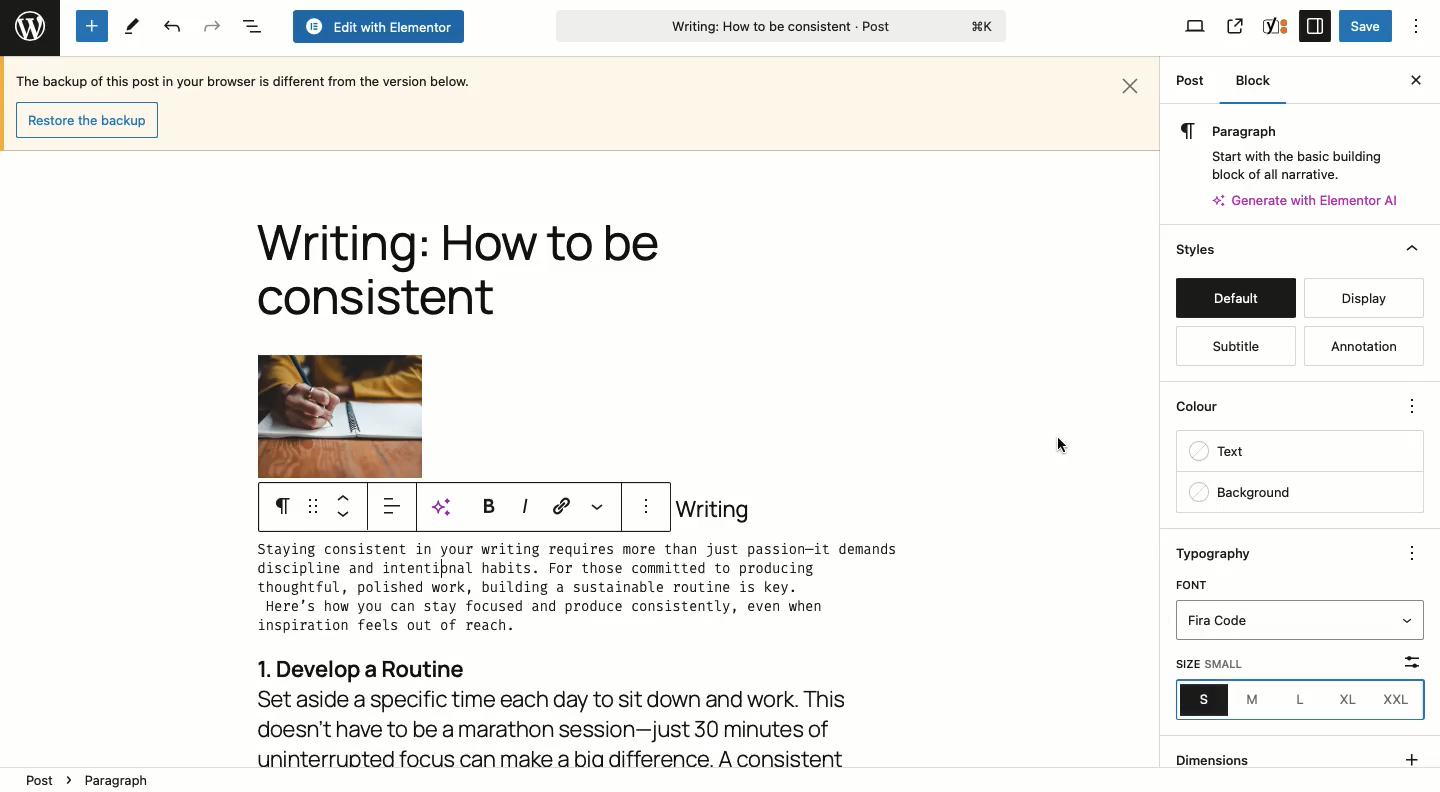 The image size is (1440, 792). What do you see at coordinates (1307, 200) in the screenshot?
I see `Generate with Elementor AI` at bounding box center [1307, 200].